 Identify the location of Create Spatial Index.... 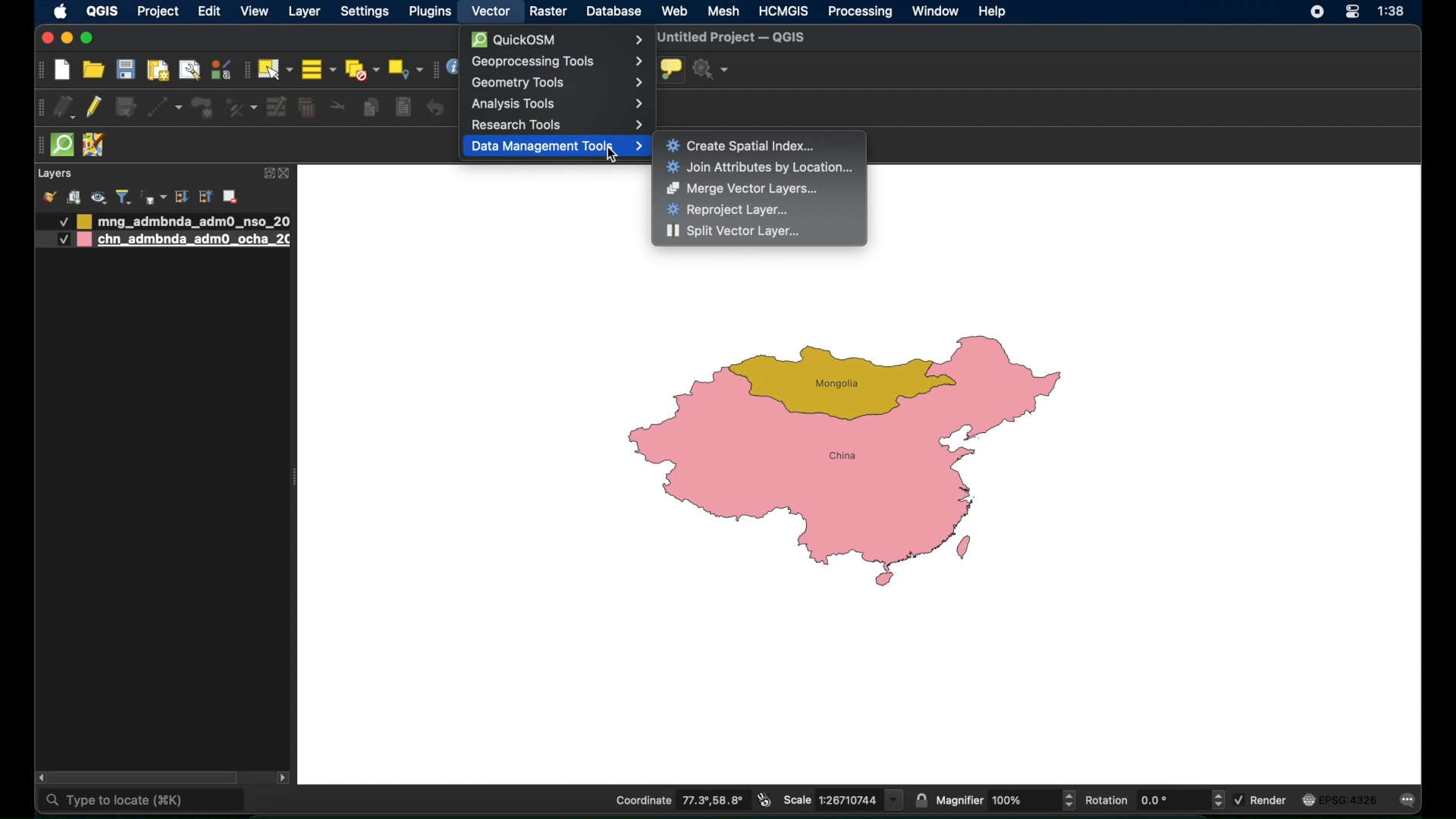
(745, 146).